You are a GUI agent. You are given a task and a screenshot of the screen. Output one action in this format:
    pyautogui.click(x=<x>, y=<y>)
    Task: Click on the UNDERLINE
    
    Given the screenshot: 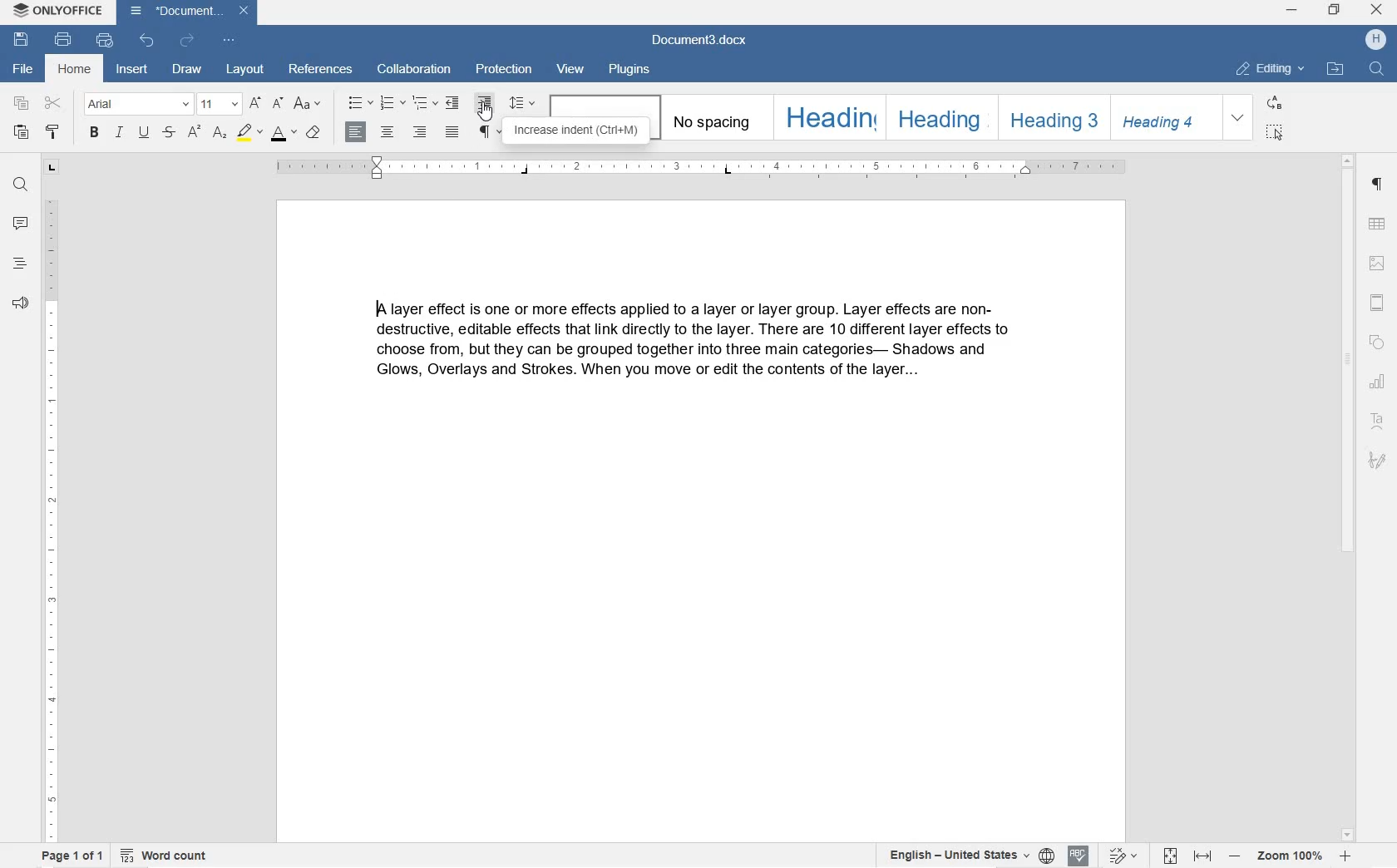 What is the action you would take?
    pyautogui.click(x=144, y=133)
    